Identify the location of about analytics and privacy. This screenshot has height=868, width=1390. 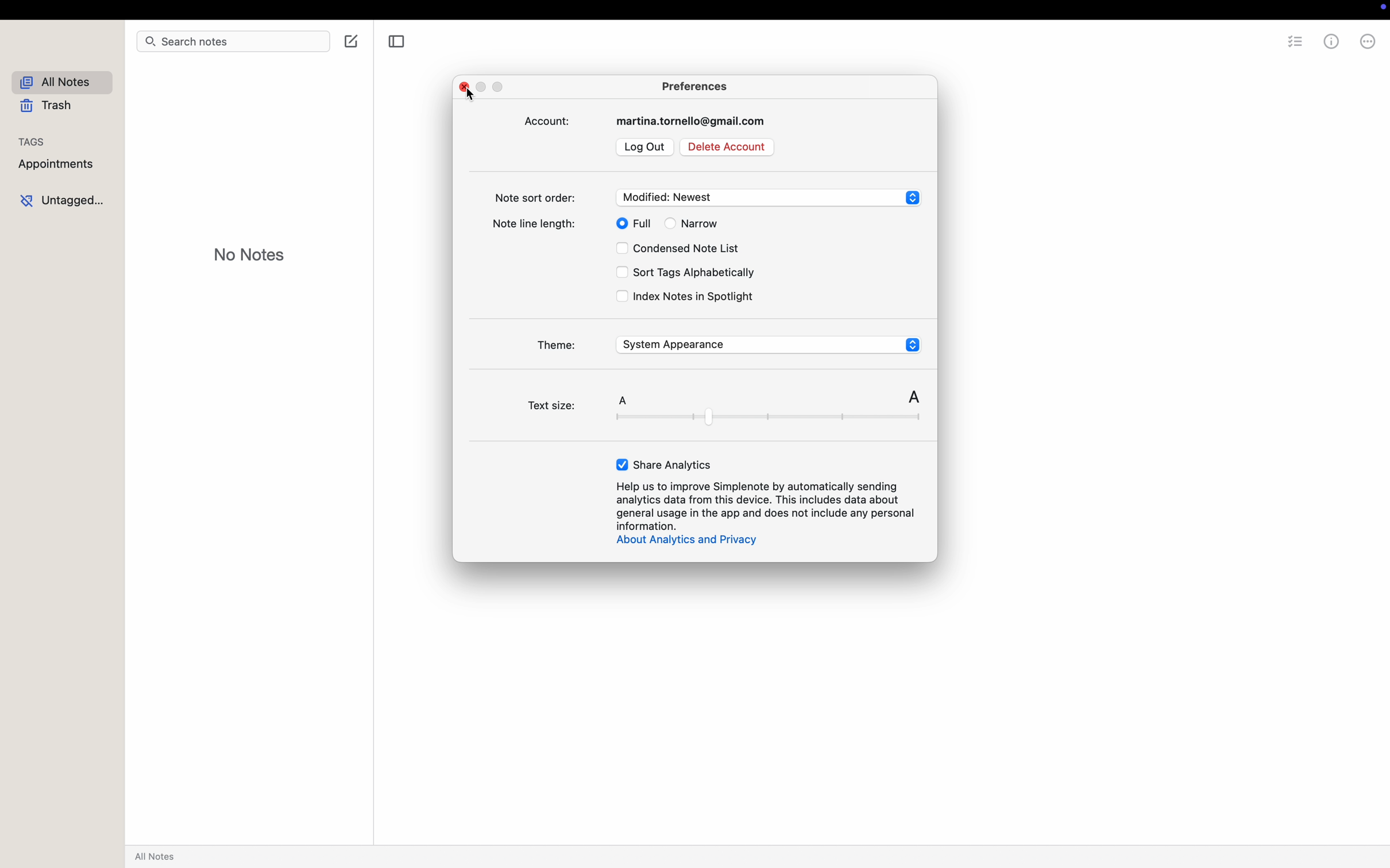
(686, 542).